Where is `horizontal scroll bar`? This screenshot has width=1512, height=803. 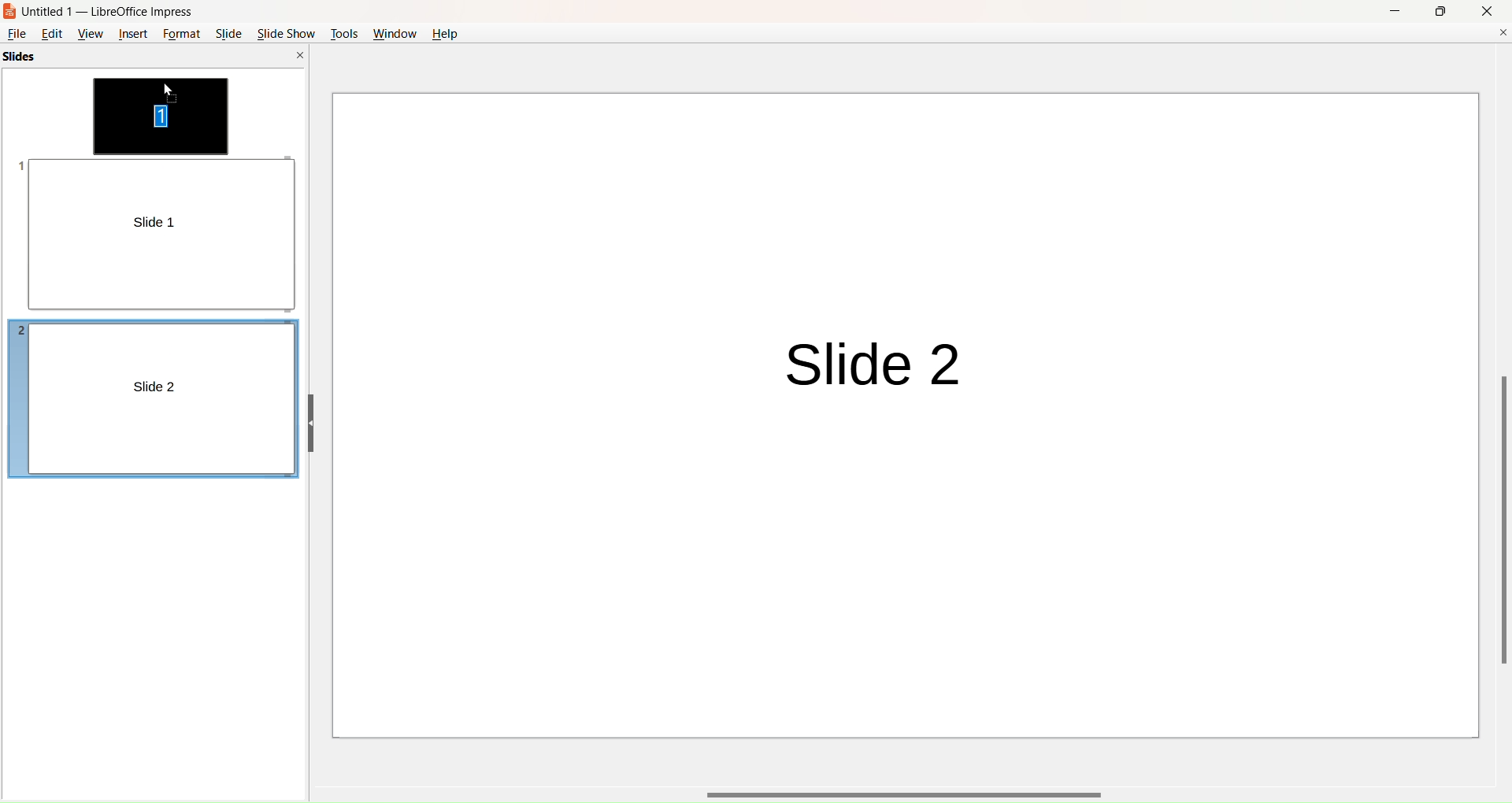
horizontal scroll bar is located at coordinates (910, 792).